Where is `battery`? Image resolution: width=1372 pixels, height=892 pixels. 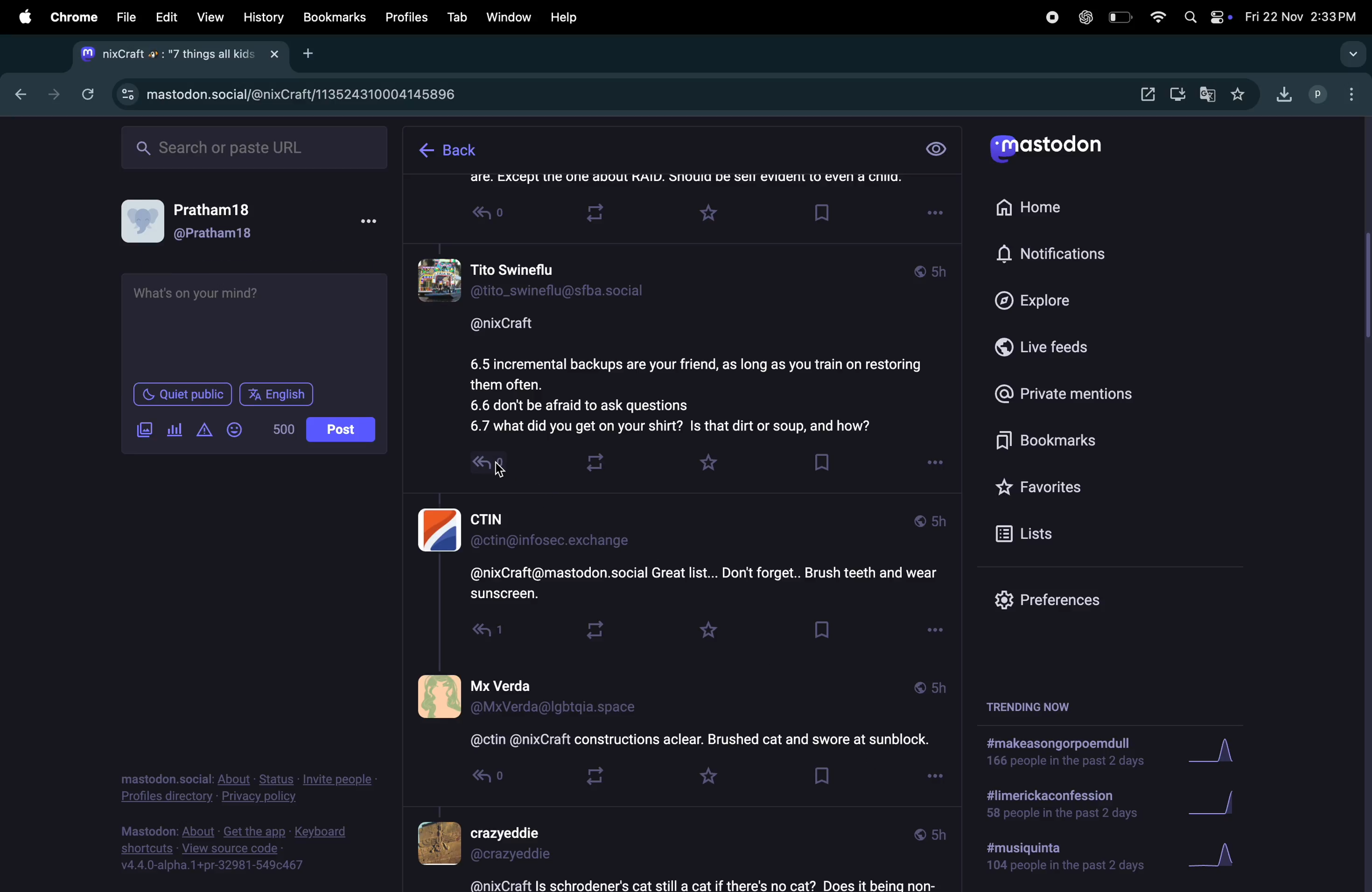 battery is located at coordinates (1122, 17).